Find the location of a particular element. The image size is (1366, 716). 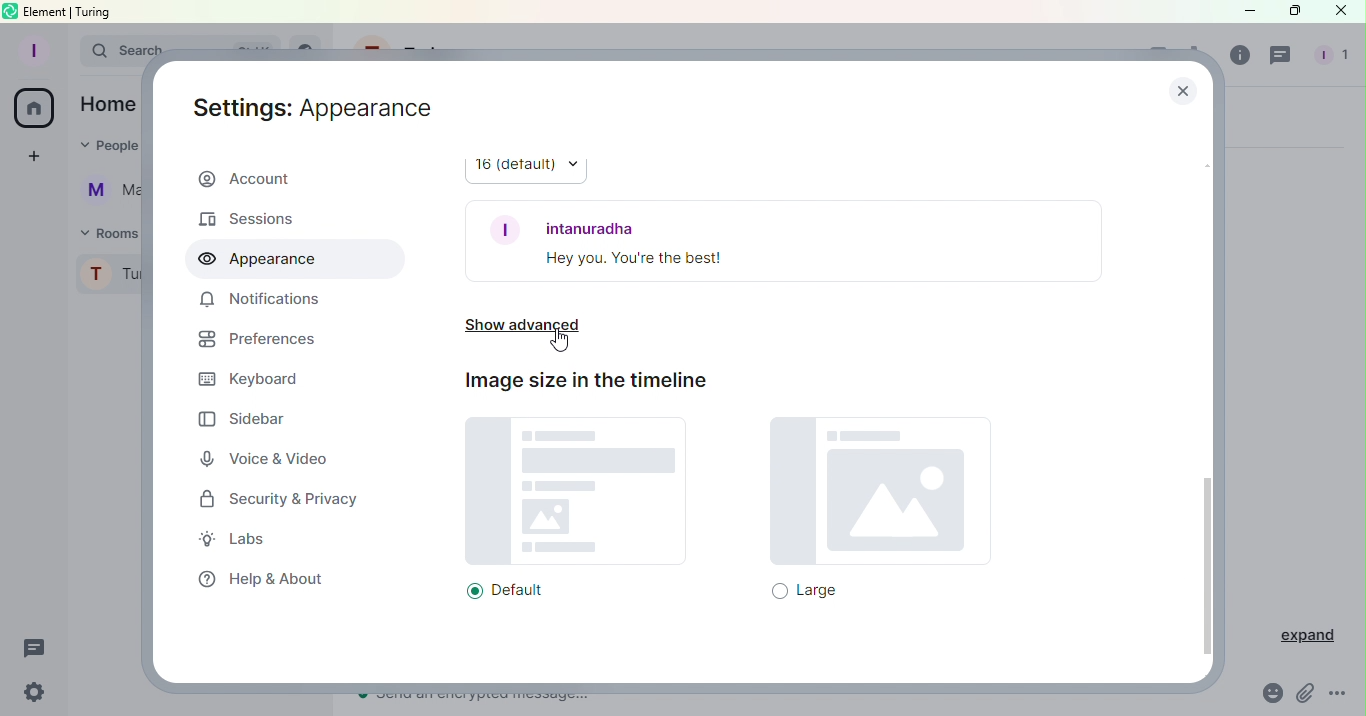

Scroll bar is located at coordinates (1209, 389).